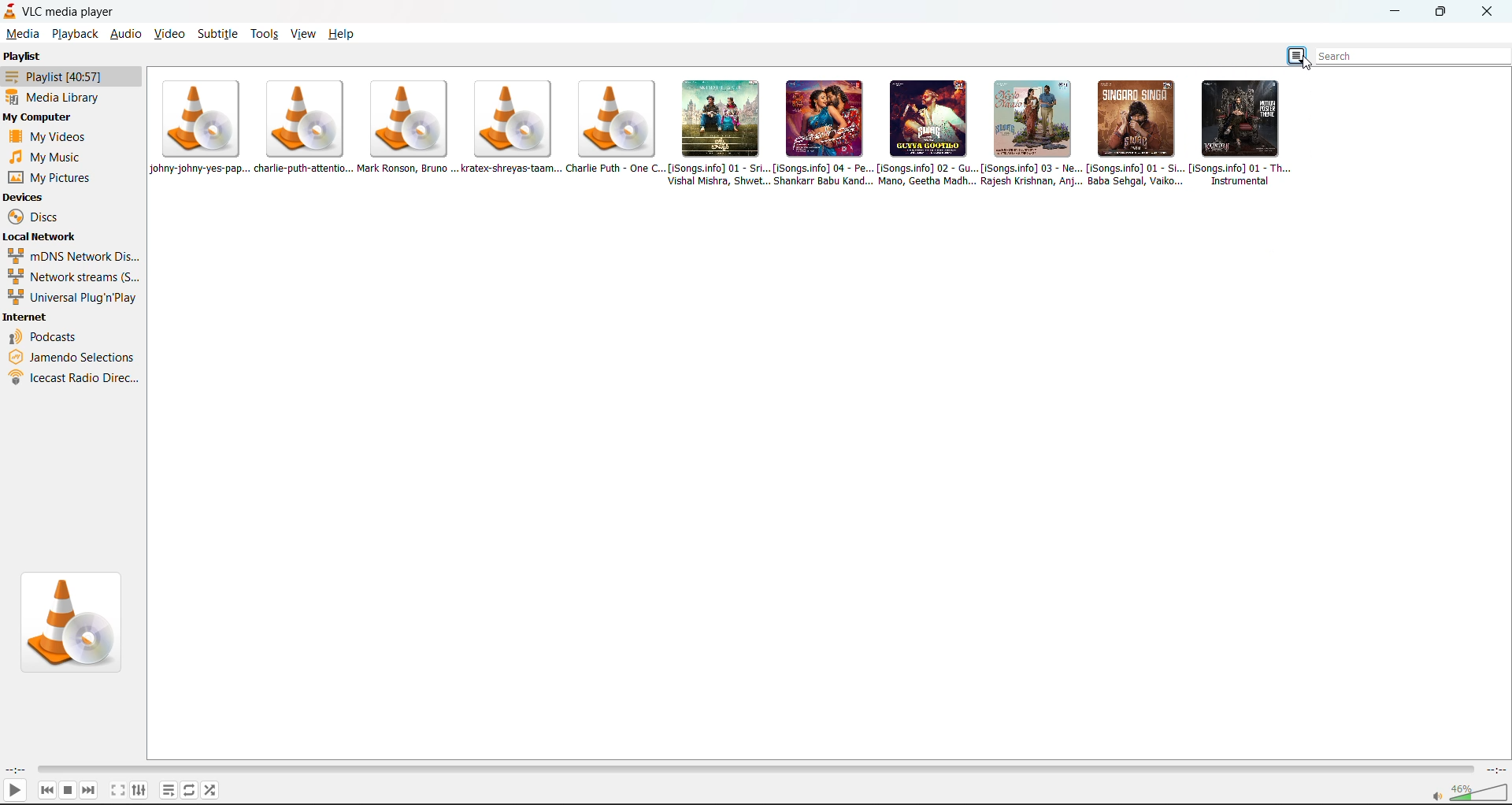 This screenshot has height=805, width=1512. Describe the element at coordinates (302, 127) in the screenshot. I see `track title and preview` at that location.